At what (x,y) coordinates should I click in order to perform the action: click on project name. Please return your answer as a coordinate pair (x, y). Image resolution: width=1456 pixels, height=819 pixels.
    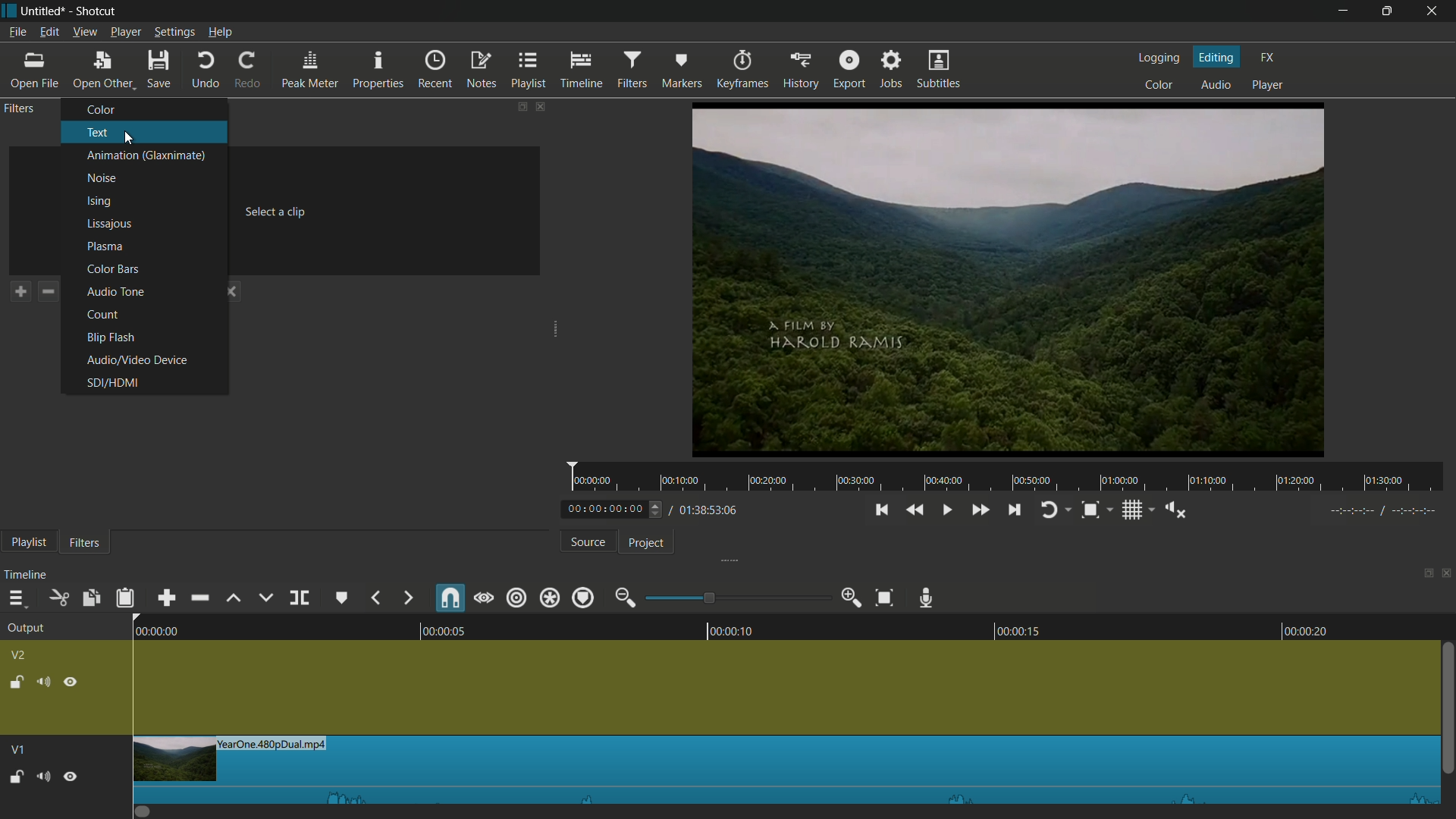
    Looking at the image, I should click on (43, 11).